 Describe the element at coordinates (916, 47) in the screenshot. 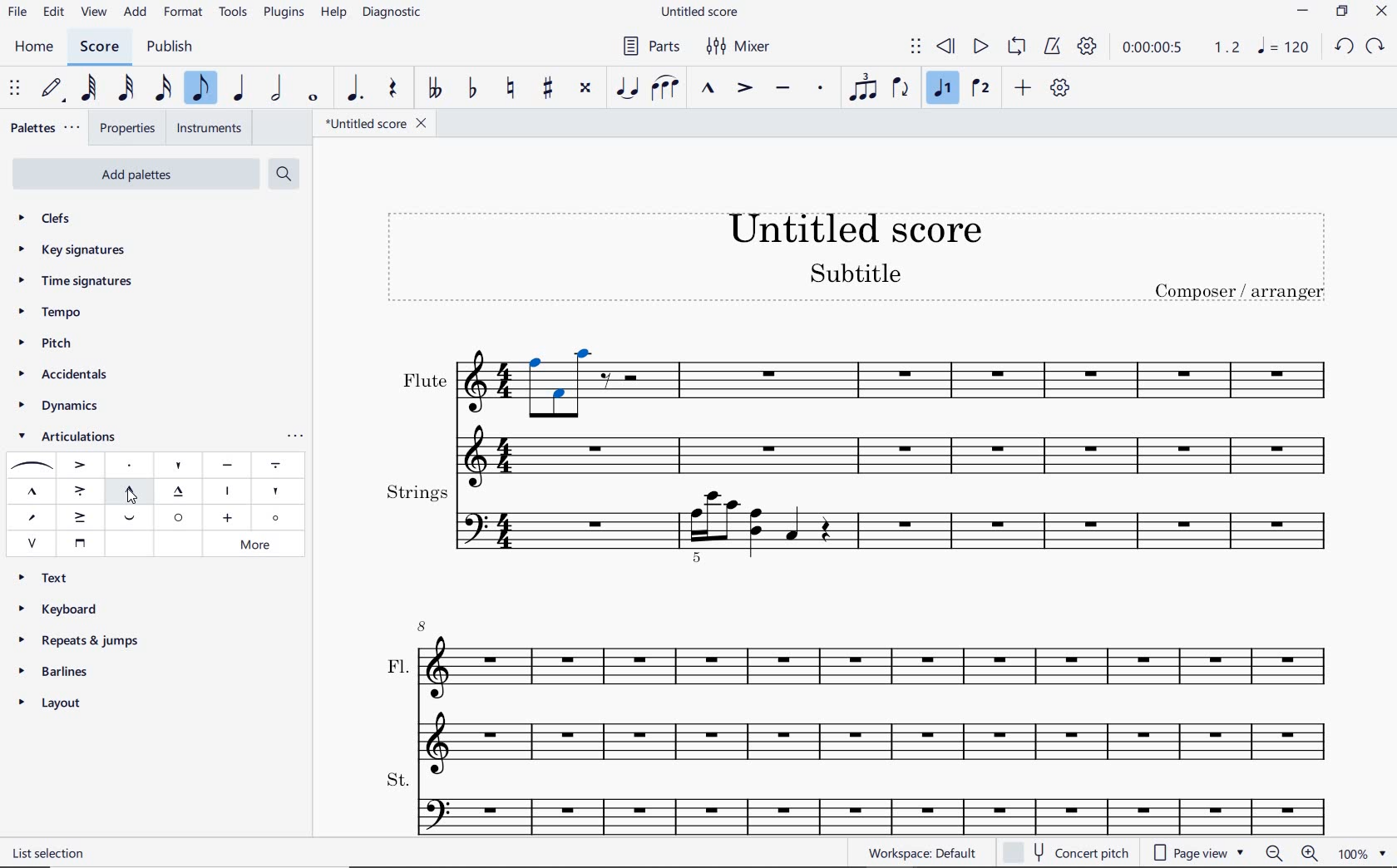

I see `SELECT TO MOVE` at that location.